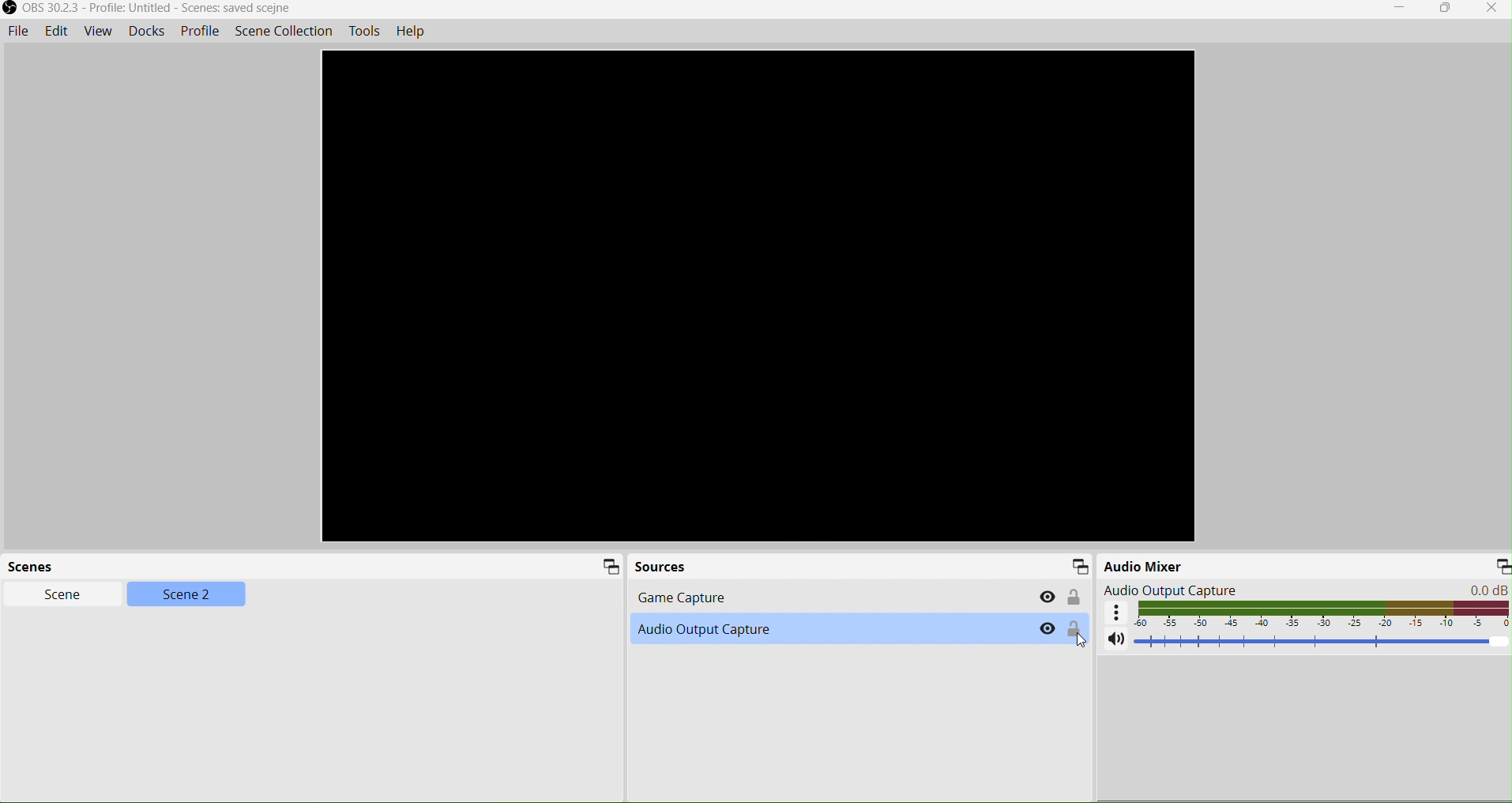 The height and width of the screenshot is (803, 1512). What do you see at coordinates (790, 597) in the screenshot?
I see `Game Capture` at bounding box center [790, 597].